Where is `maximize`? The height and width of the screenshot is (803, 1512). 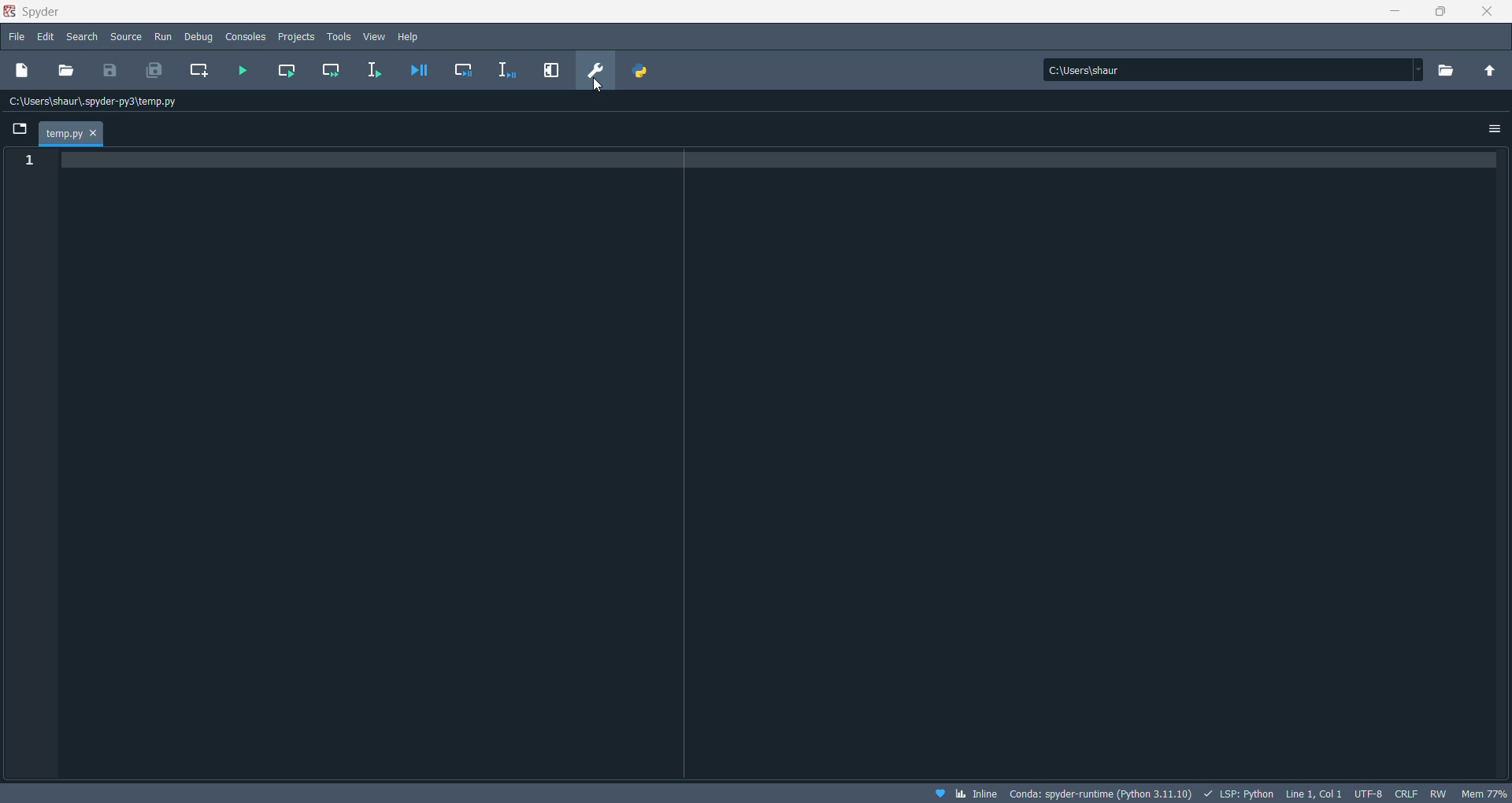
maximize is located at coordinates (1442, 14).